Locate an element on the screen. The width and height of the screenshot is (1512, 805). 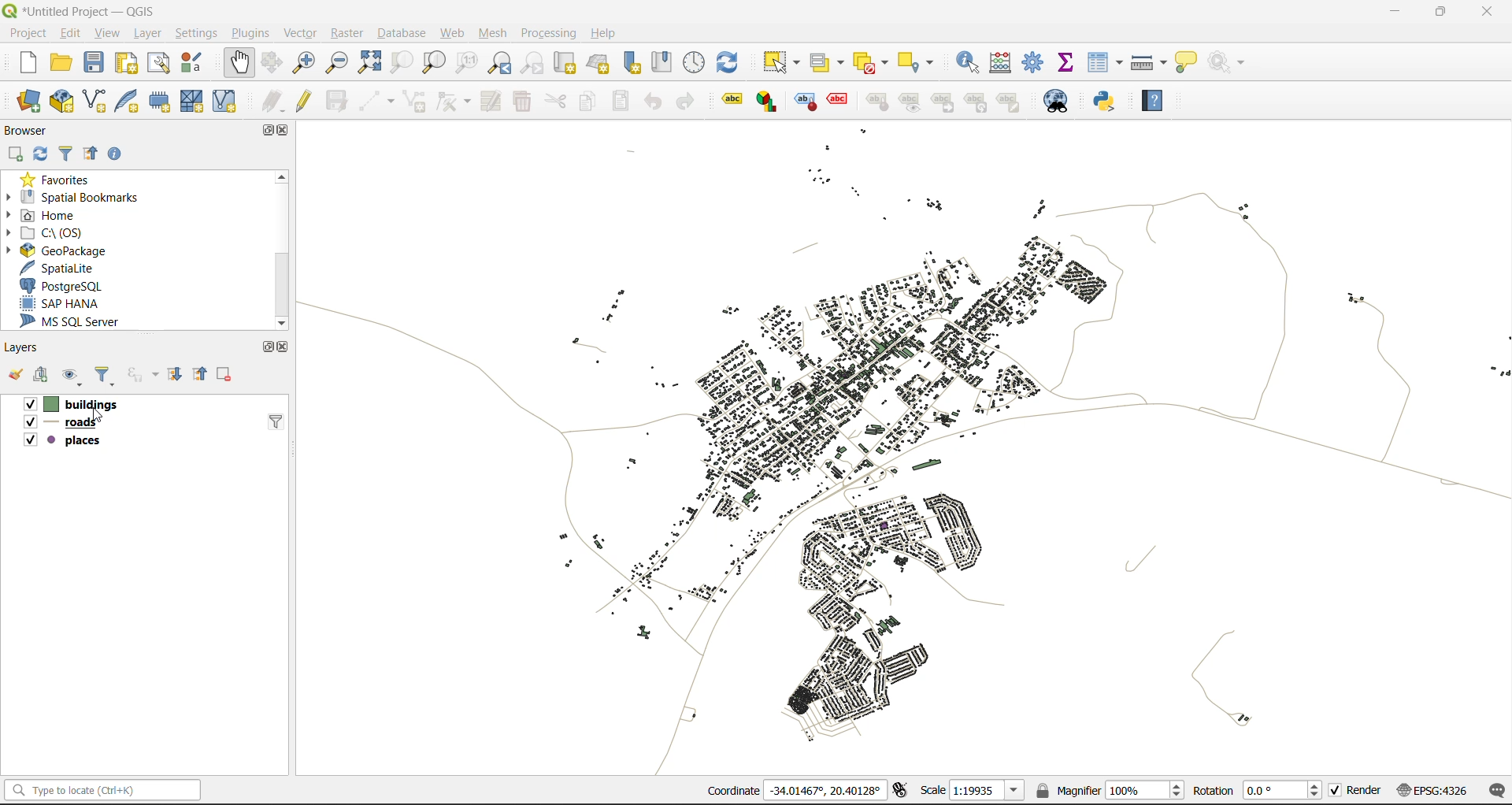
save is located at coordinates (94, 65).